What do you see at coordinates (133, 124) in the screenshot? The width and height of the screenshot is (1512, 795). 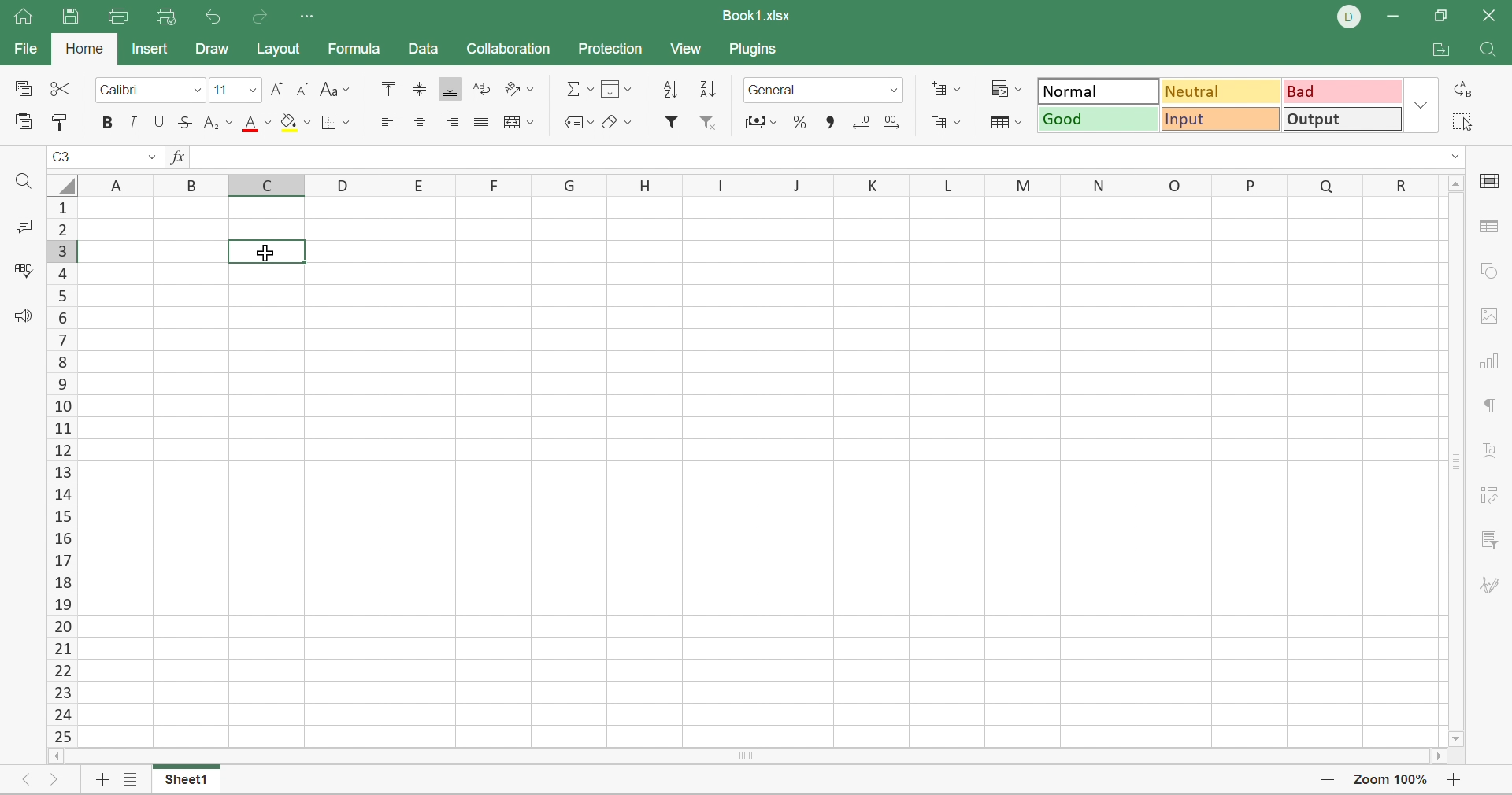 I see `Italic` at bounding box center [133, 124].